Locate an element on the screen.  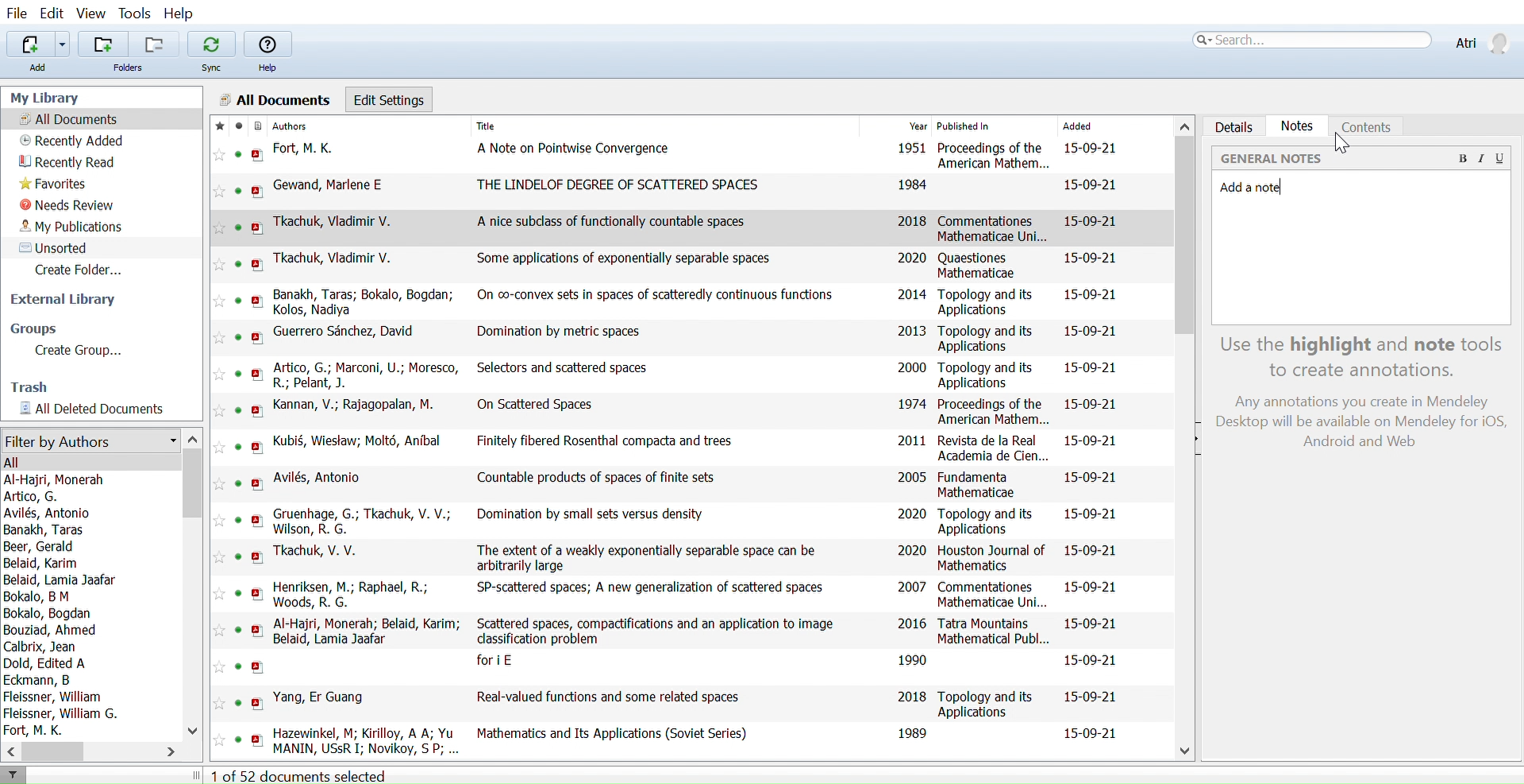
Horizontal scrollbar for filter by auhtors is located at coordinates (53, 751).